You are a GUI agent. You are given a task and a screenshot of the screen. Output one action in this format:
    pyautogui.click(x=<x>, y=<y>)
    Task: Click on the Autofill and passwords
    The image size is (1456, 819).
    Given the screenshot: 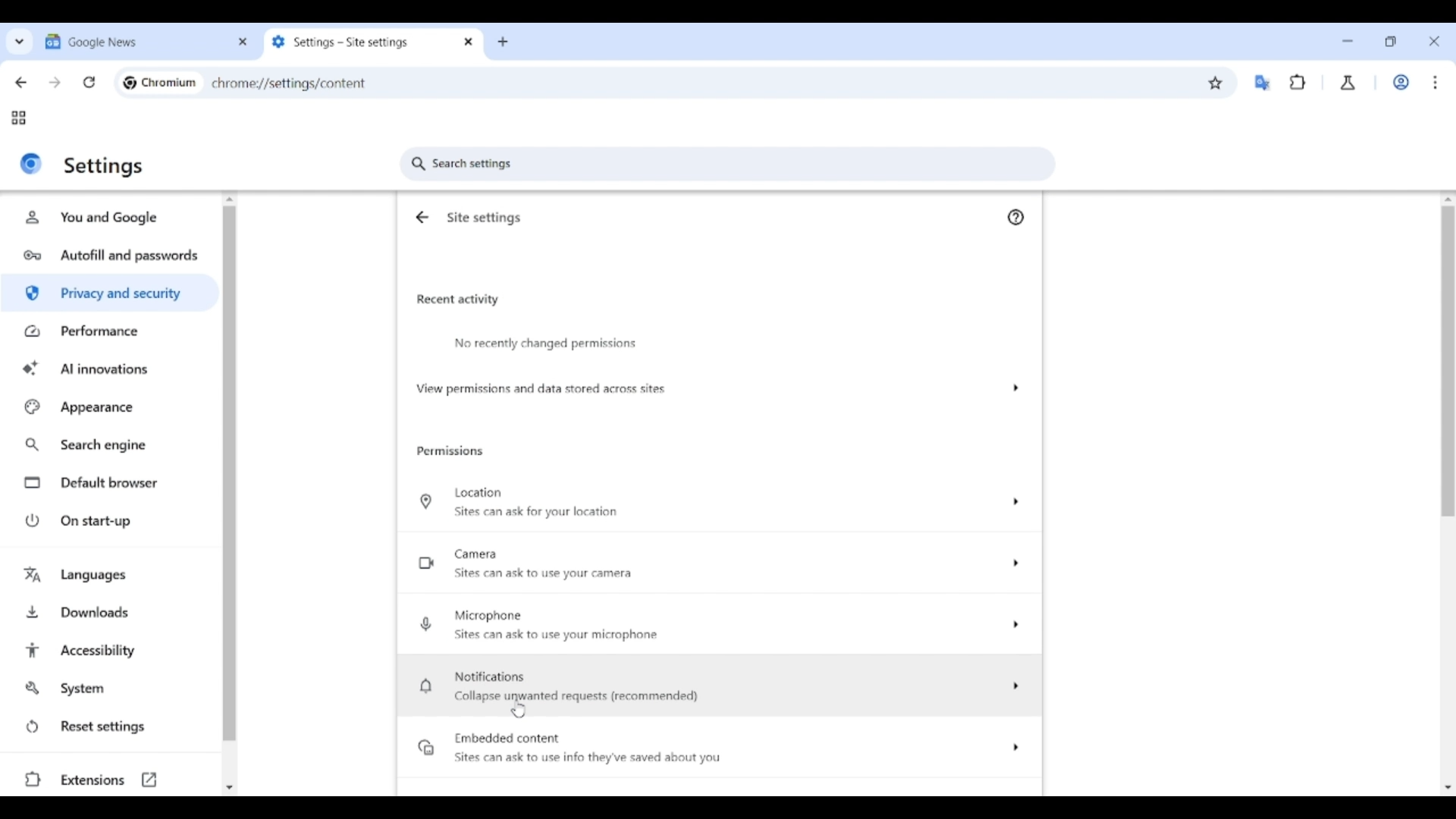 What is the action you would take?
    pyautogui.click(x=112, y=256)
    